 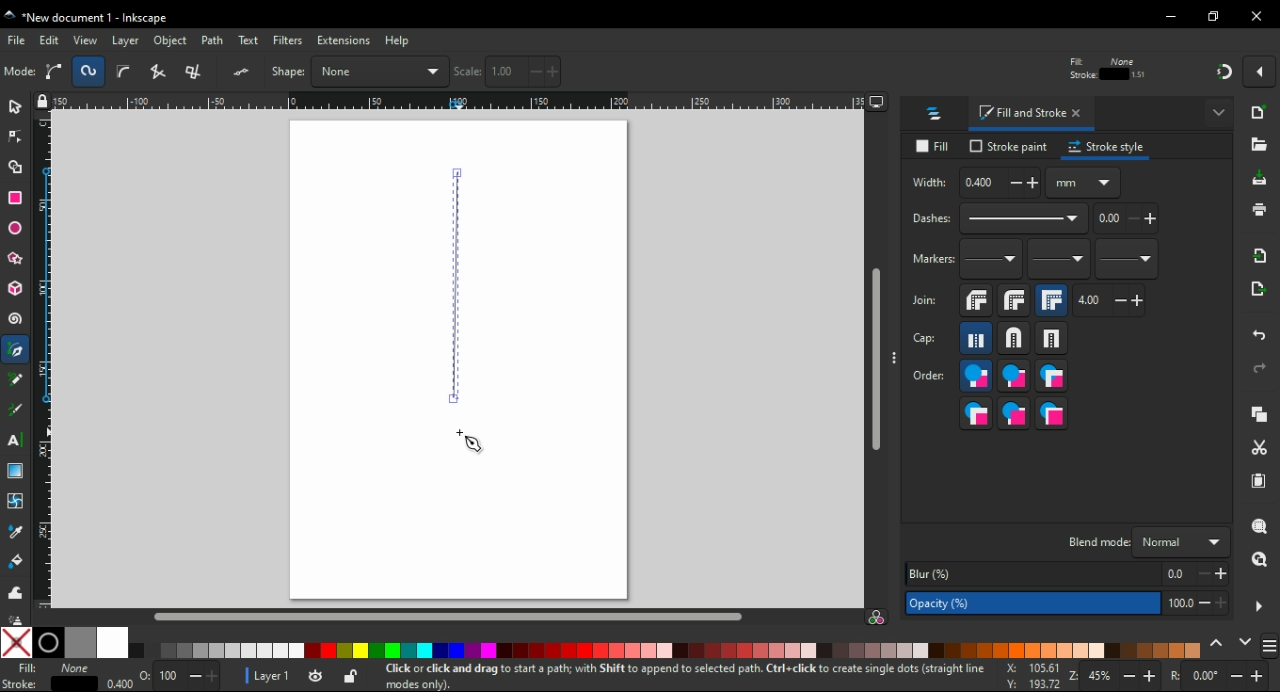 I want to click on restore, so click(x=1216, y=16).